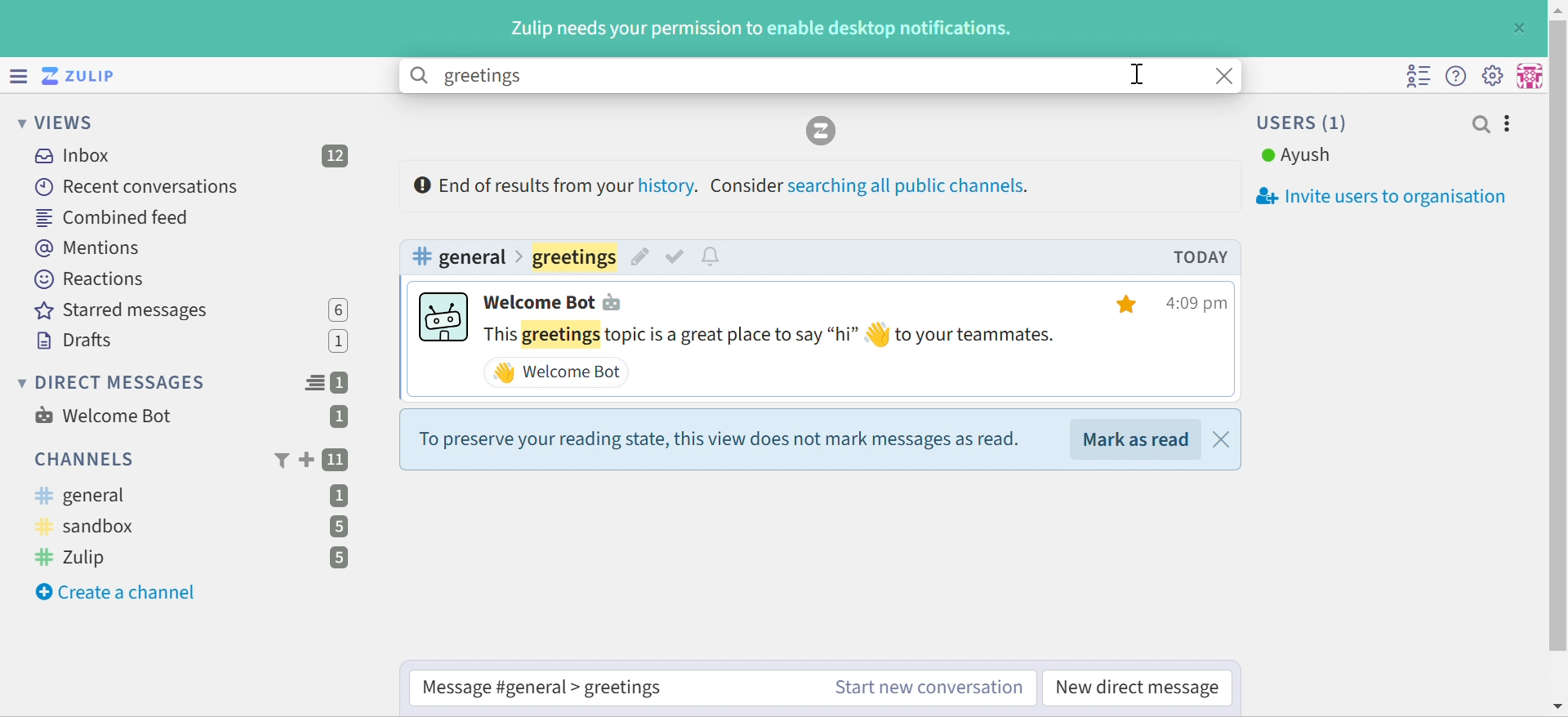 This screenshot has height=717, width=1568. Describe the element at coordinates (339, 418) in the screenshot. I see `1` at that location.